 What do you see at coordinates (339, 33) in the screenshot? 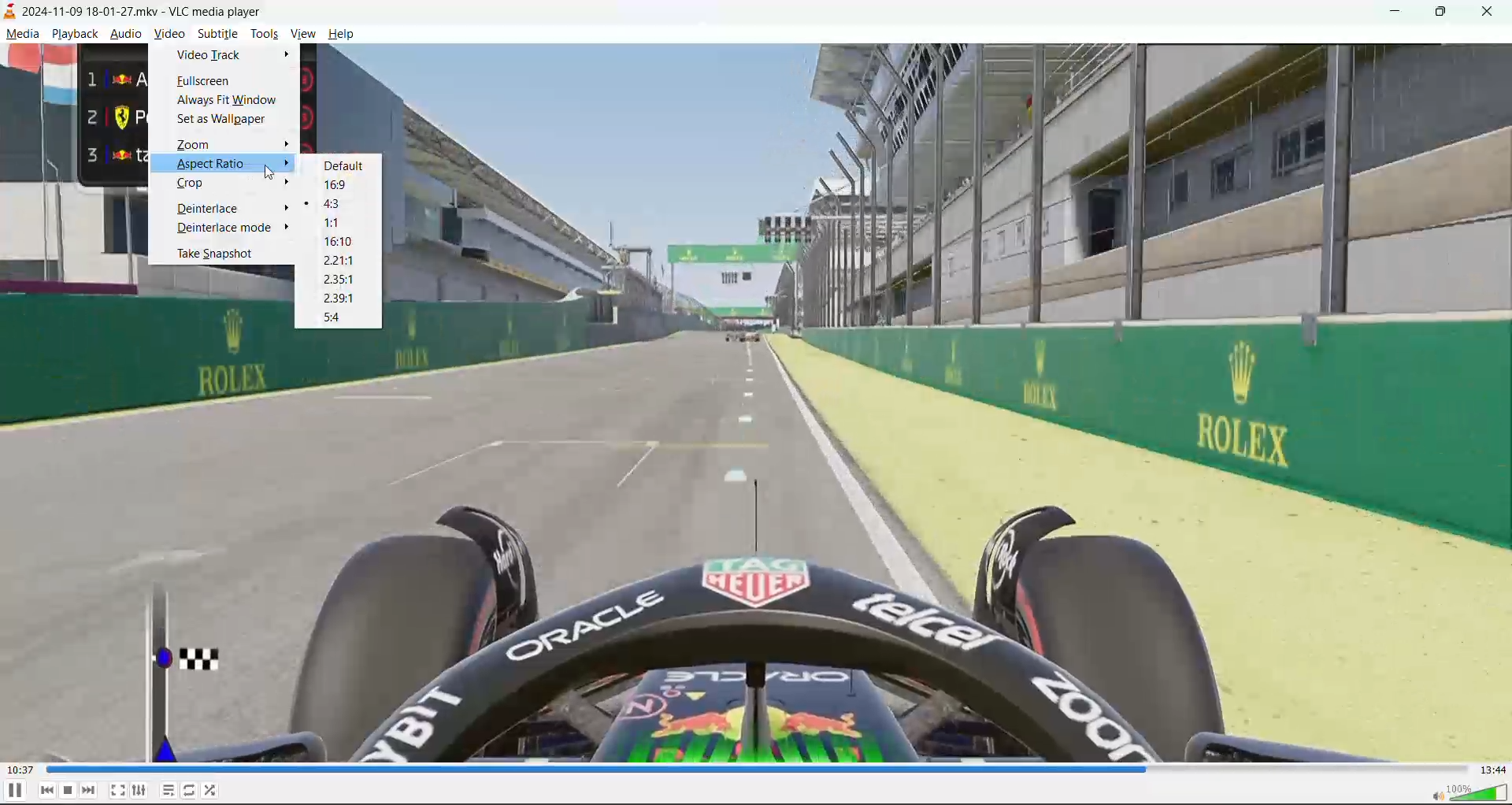
I see `help` at bounding box center [339, 33].